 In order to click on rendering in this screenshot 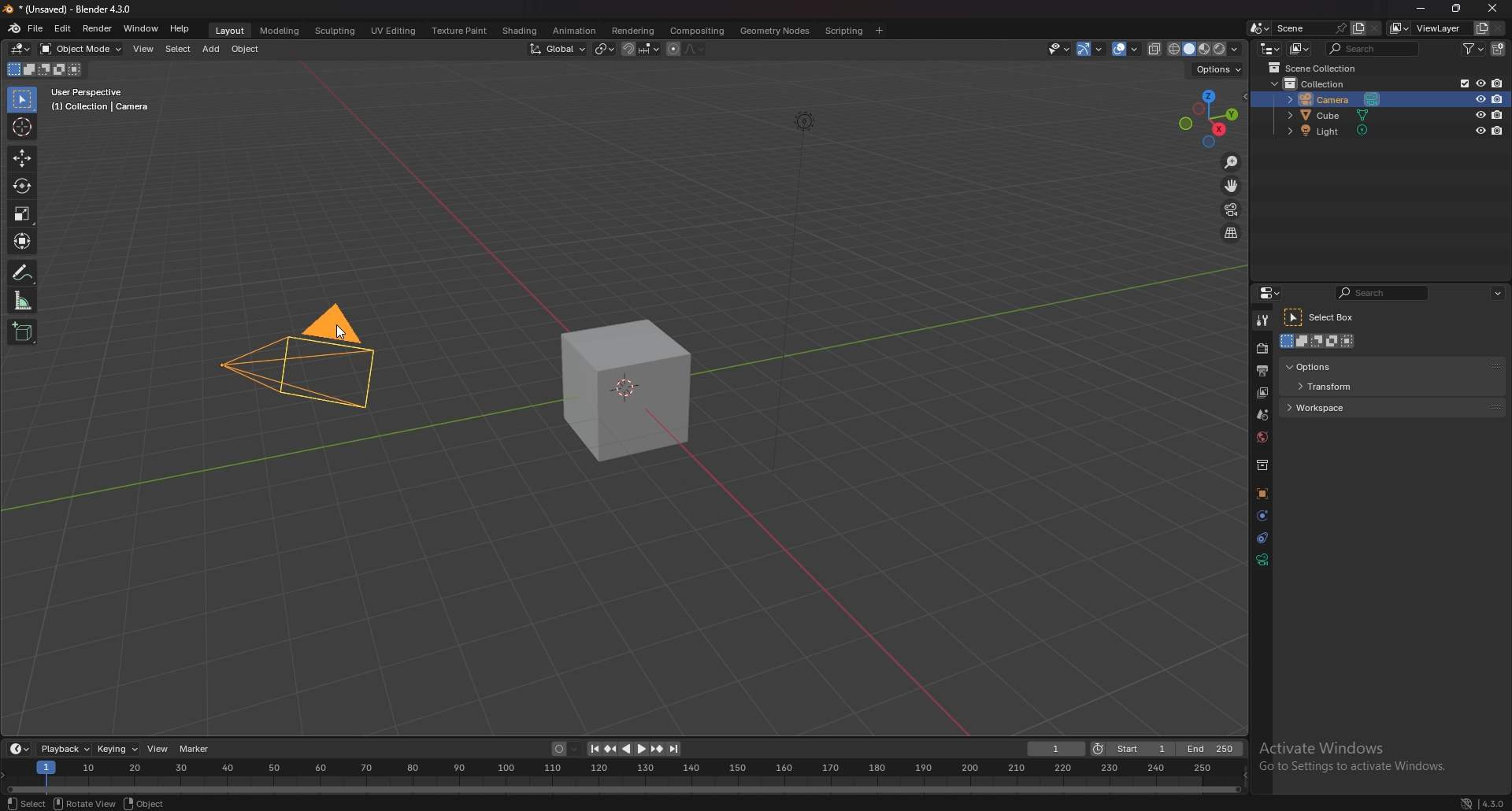, I will do `click(633, 31)`.